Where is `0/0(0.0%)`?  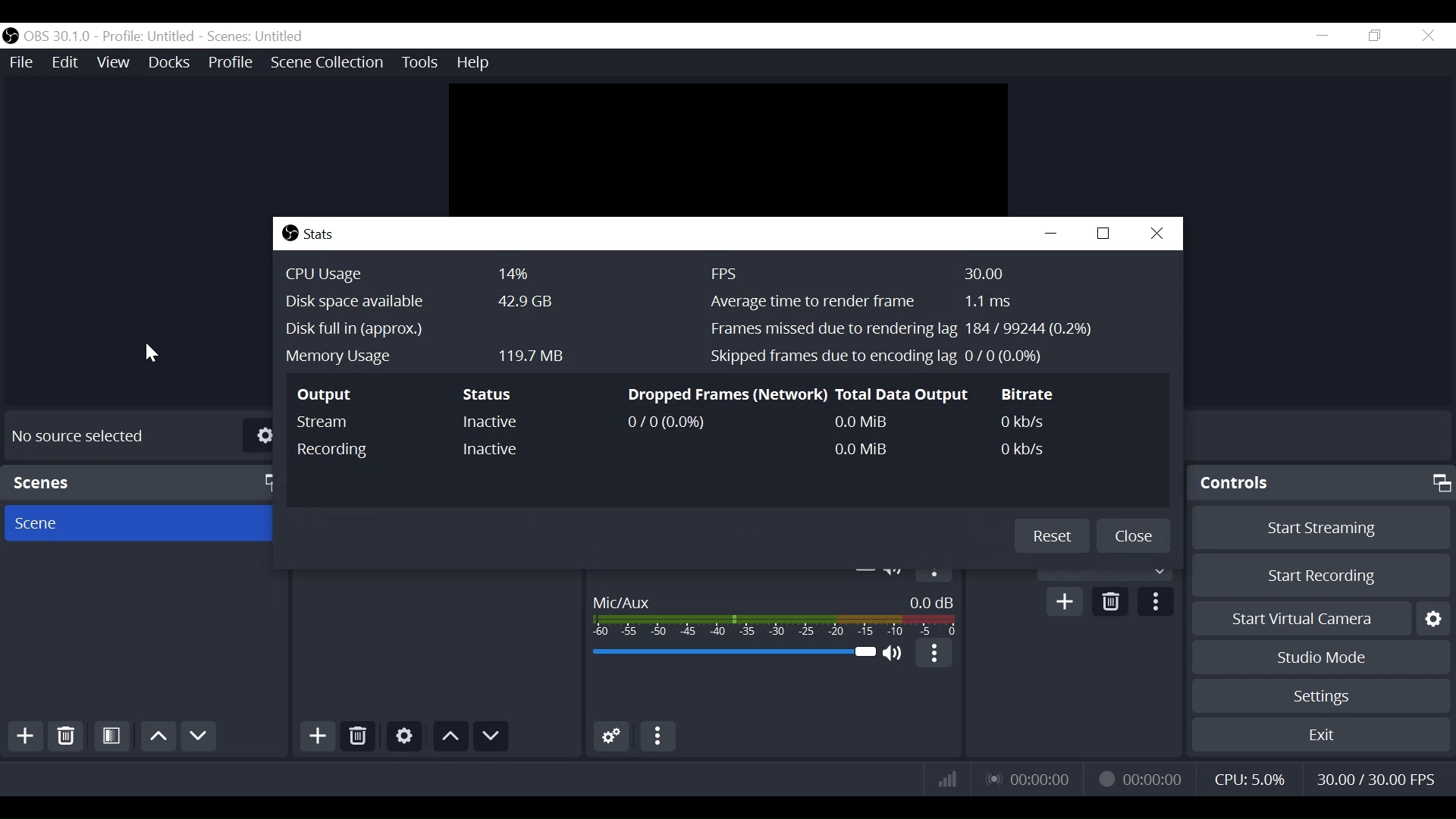 0/0(0.0%) is located at coordinates (676, 423).